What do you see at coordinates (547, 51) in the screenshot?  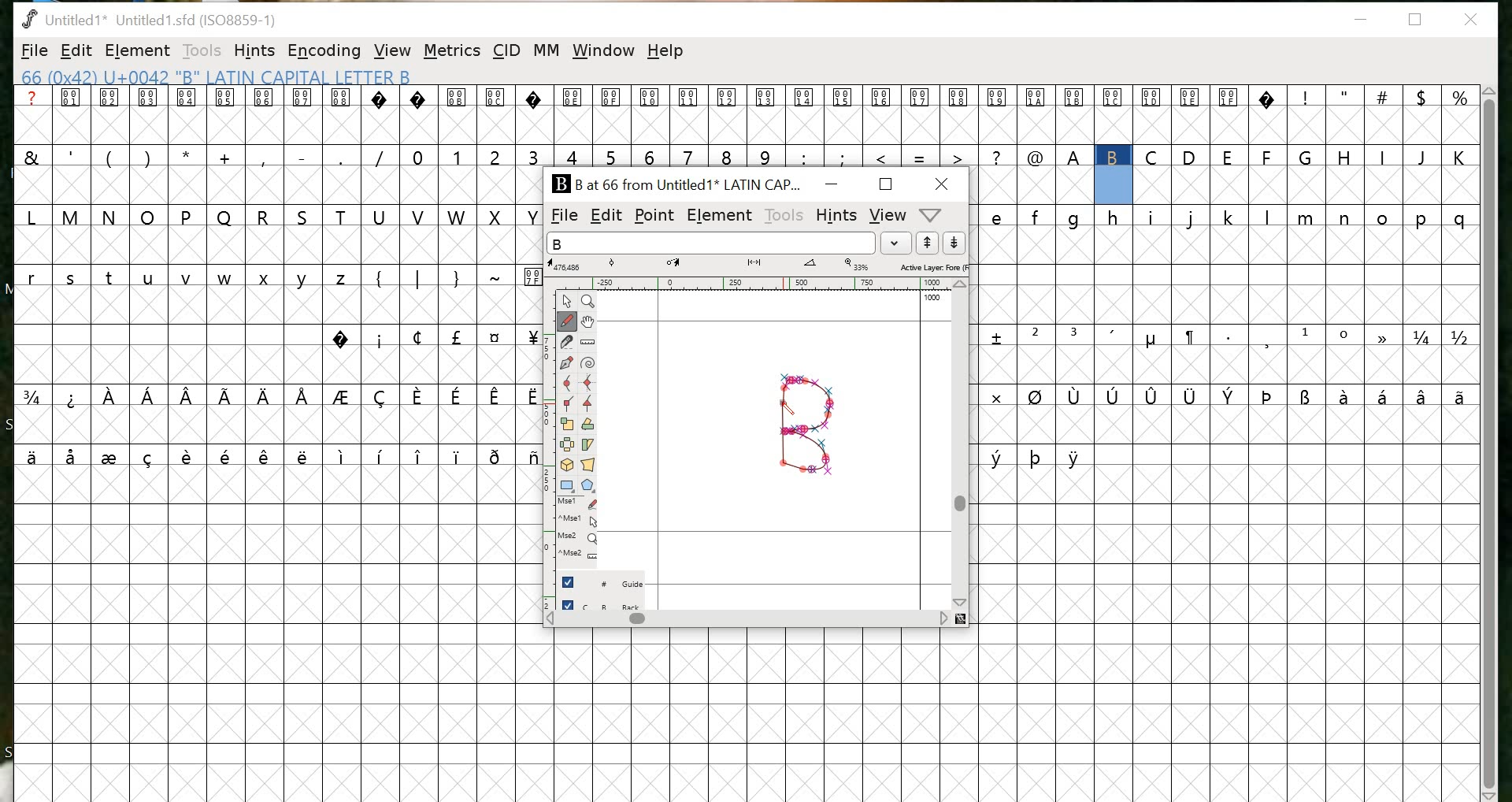 I see `MM` at bounding box center [547, 51].